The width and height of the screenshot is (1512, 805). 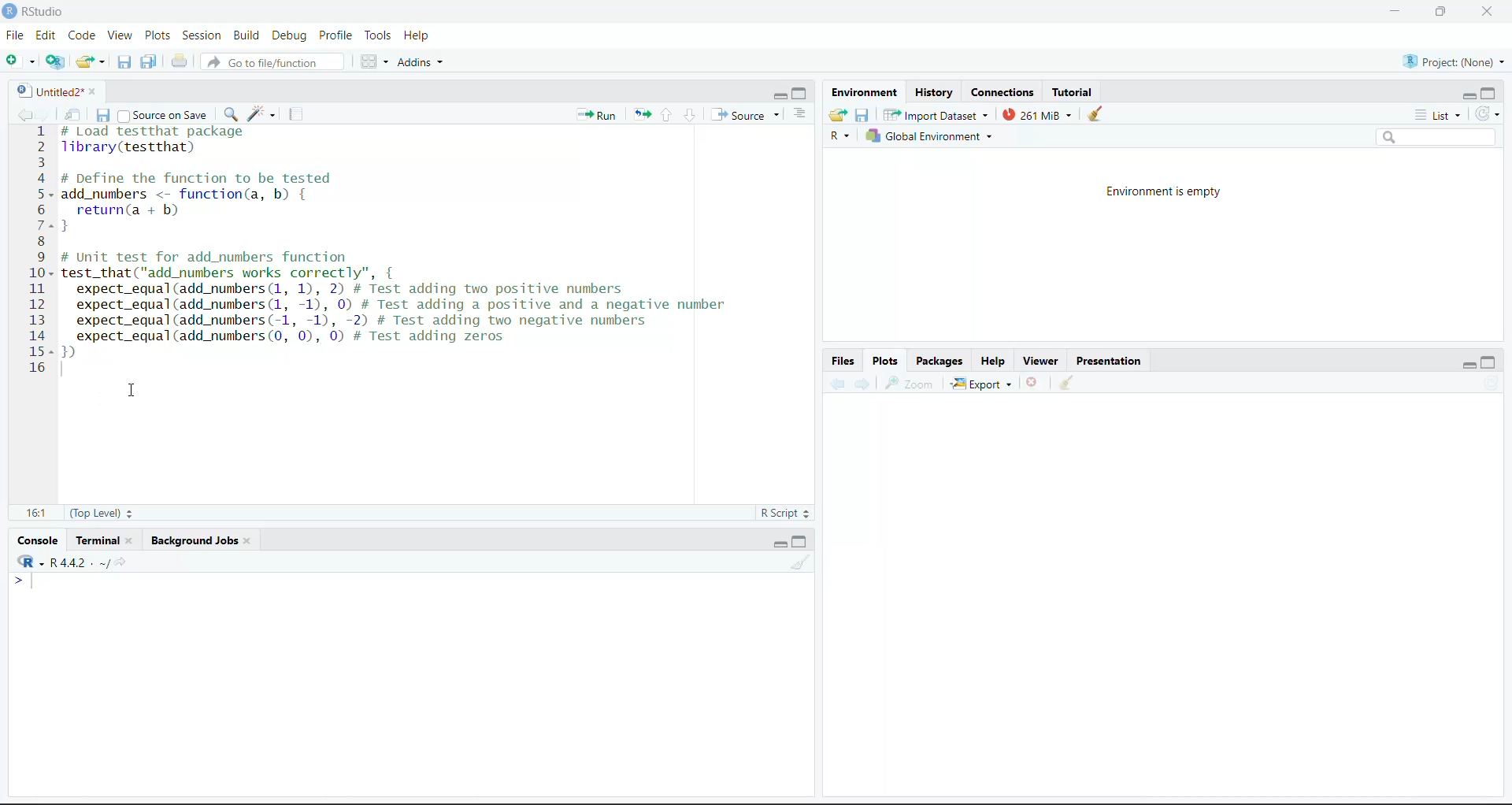 I want to click on Stepper buttons, so click(x=810, y=513).